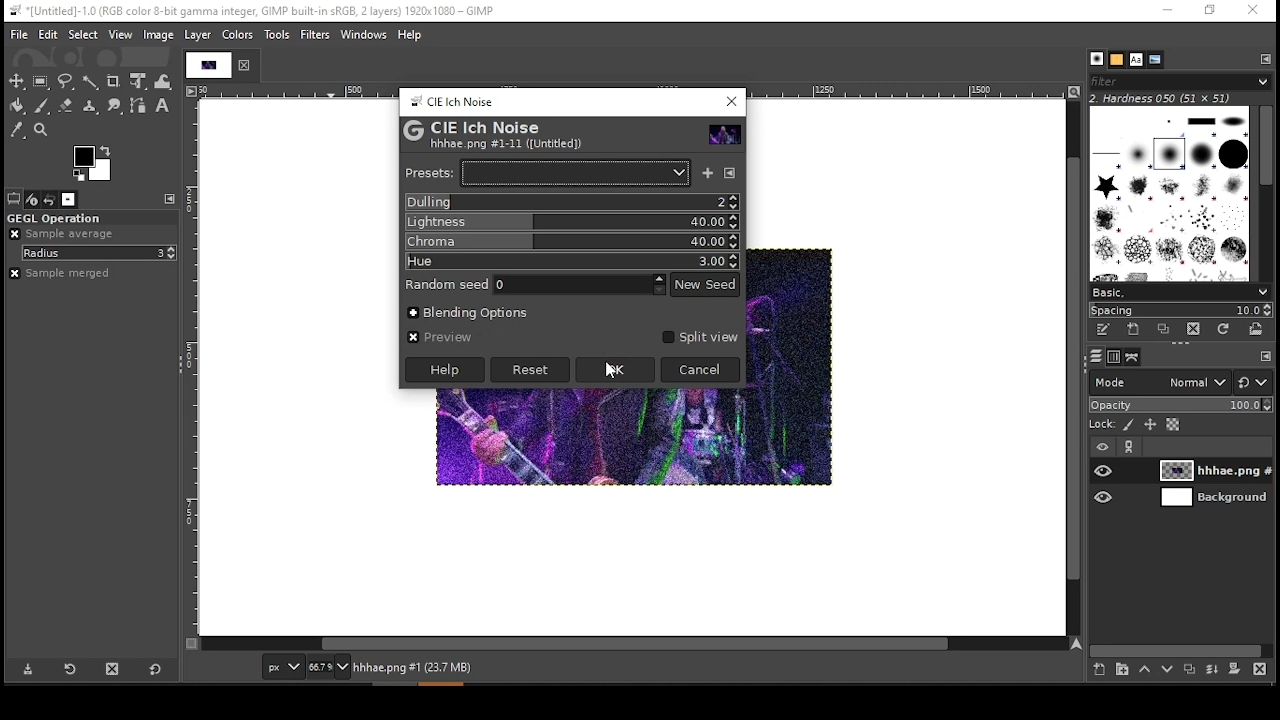  Describe the element at coordinates (1097, 672) in the screenshot. I see `new layer` at that location.